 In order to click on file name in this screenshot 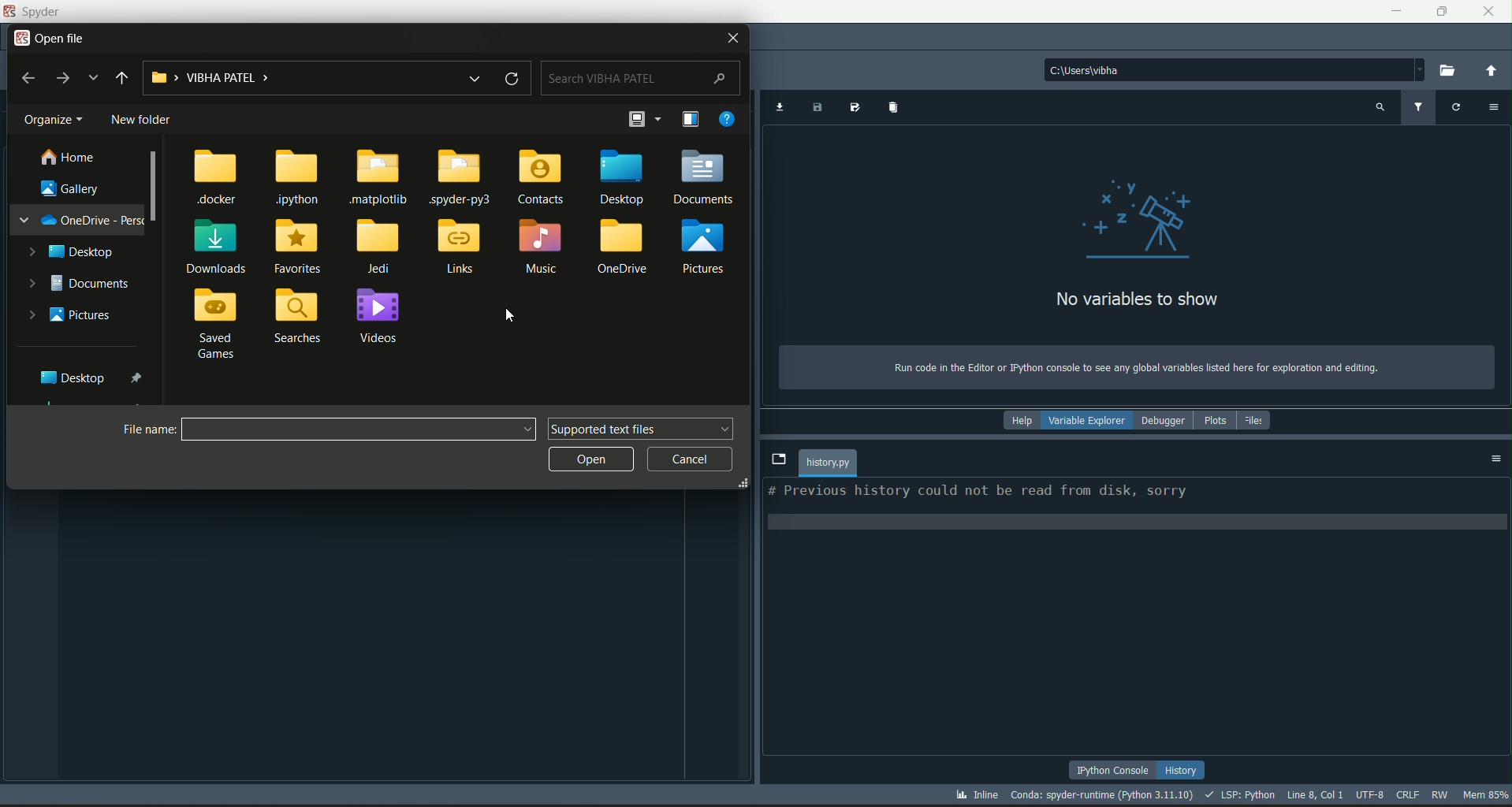, I will do `click(150, 430)`.